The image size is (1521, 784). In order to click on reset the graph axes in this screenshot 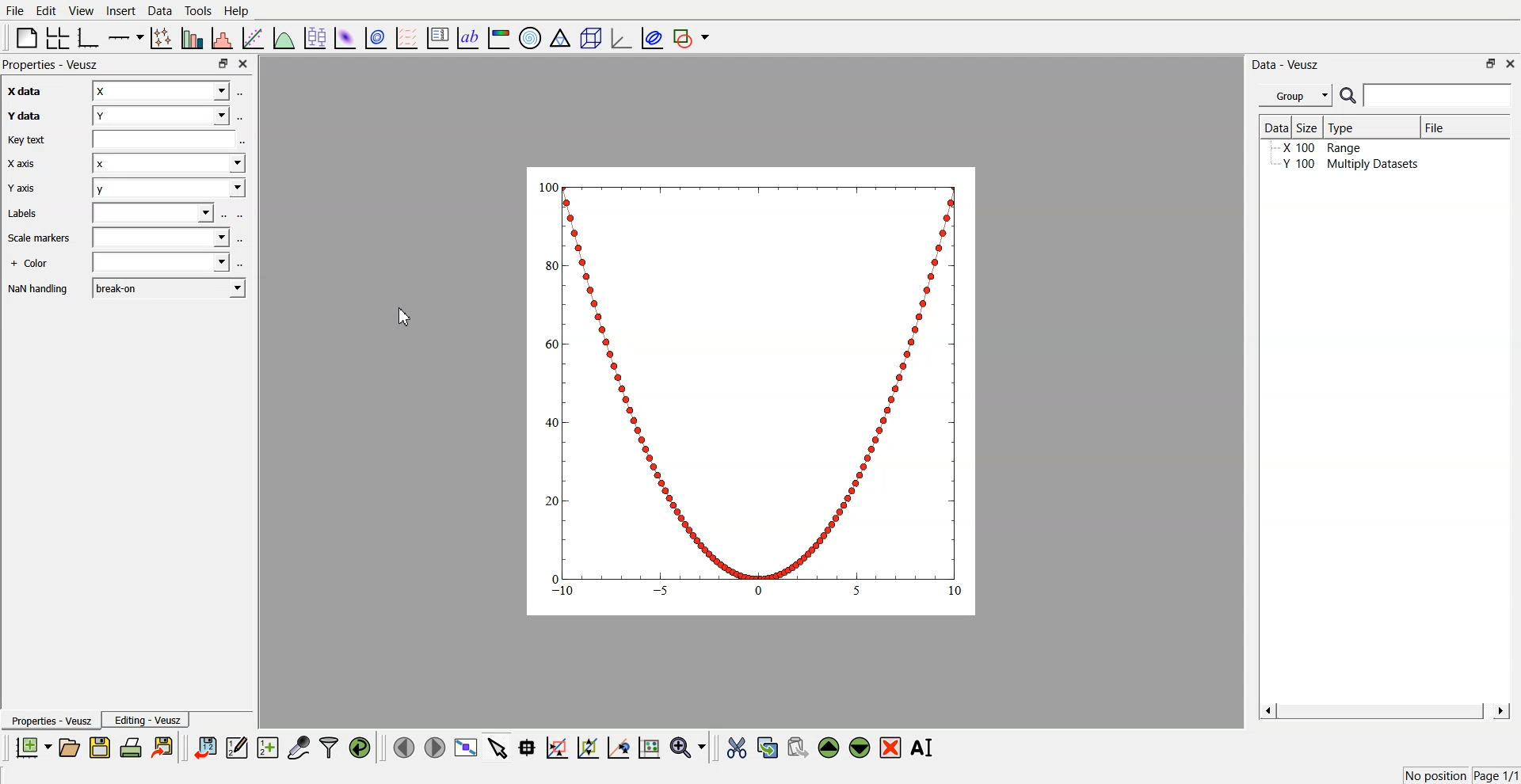, I will do `click(649, 748)`.